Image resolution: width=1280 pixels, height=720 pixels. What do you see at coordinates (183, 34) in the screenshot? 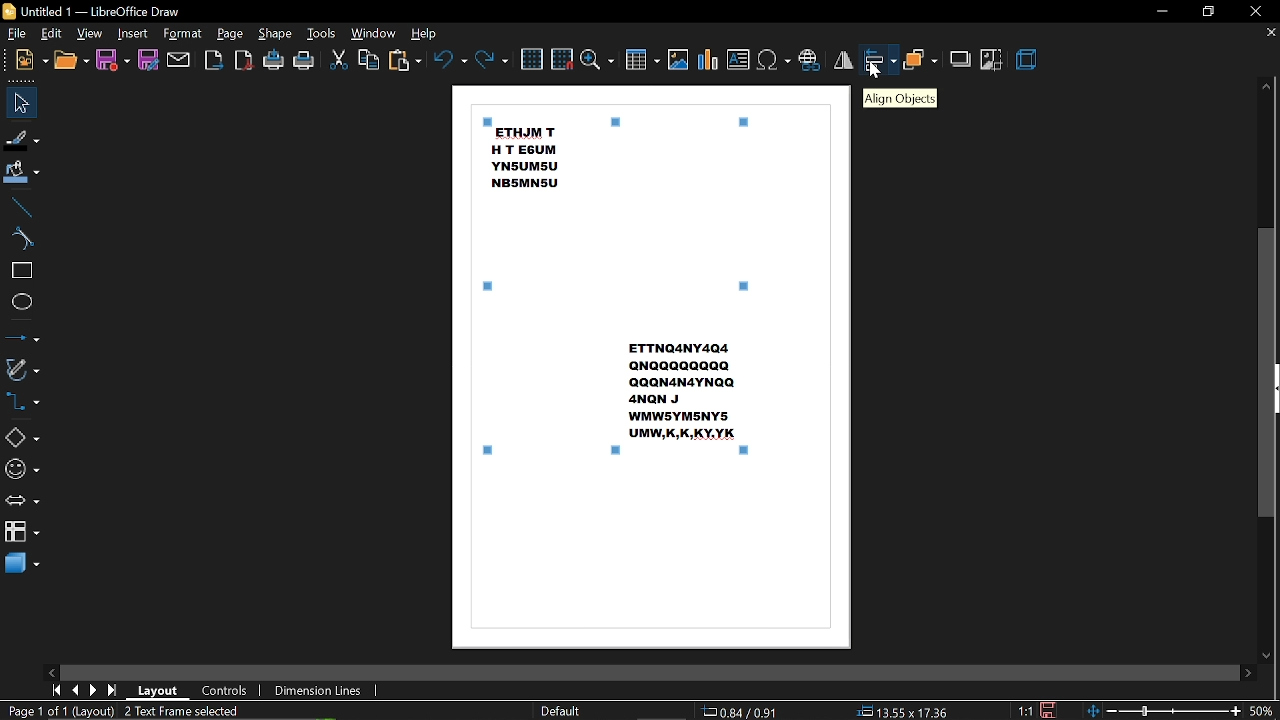
I see `format` at bounding box center [183, 34].